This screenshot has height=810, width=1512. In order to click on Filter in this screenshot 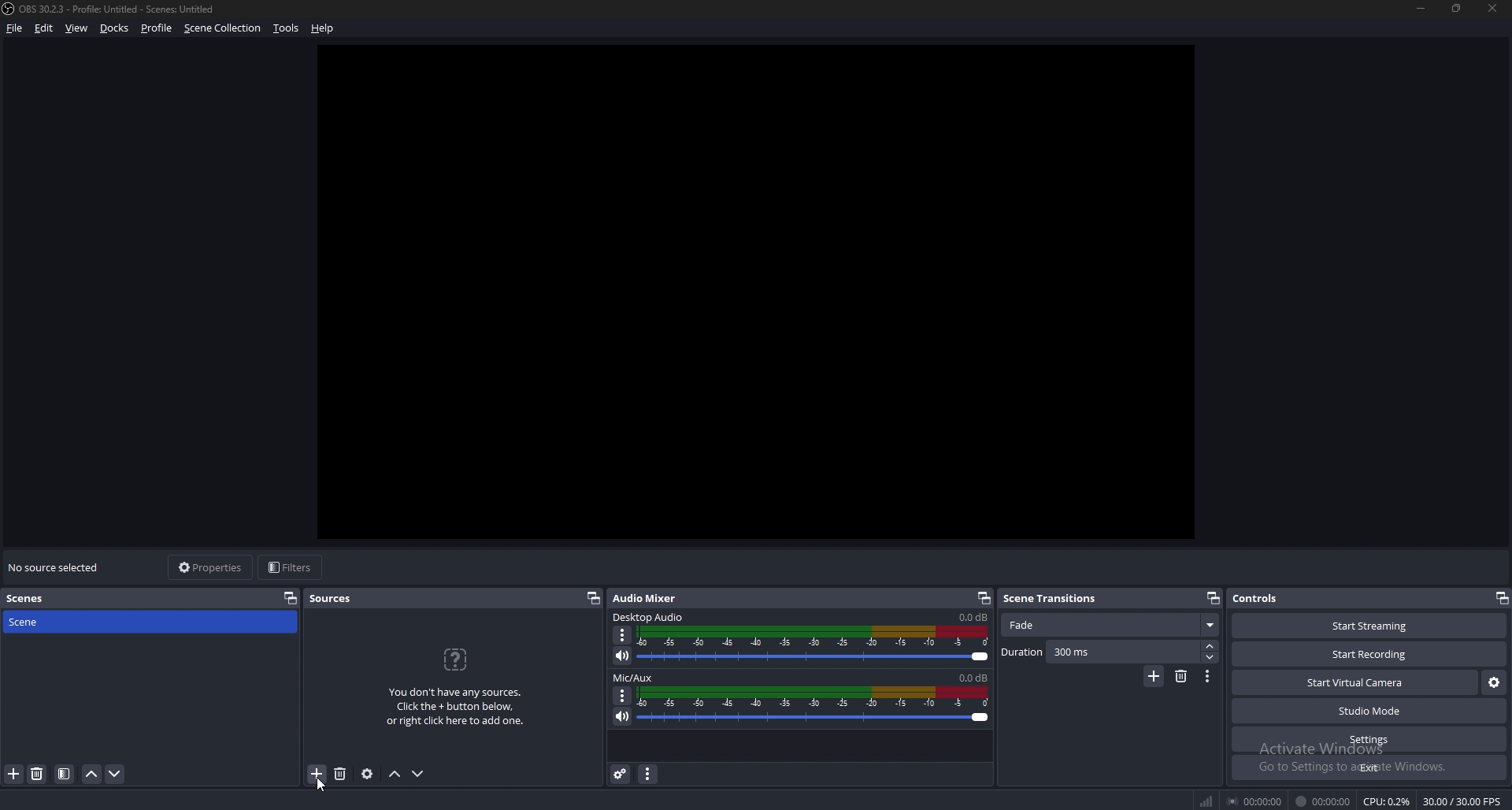, I will do `click(65, 775)`.